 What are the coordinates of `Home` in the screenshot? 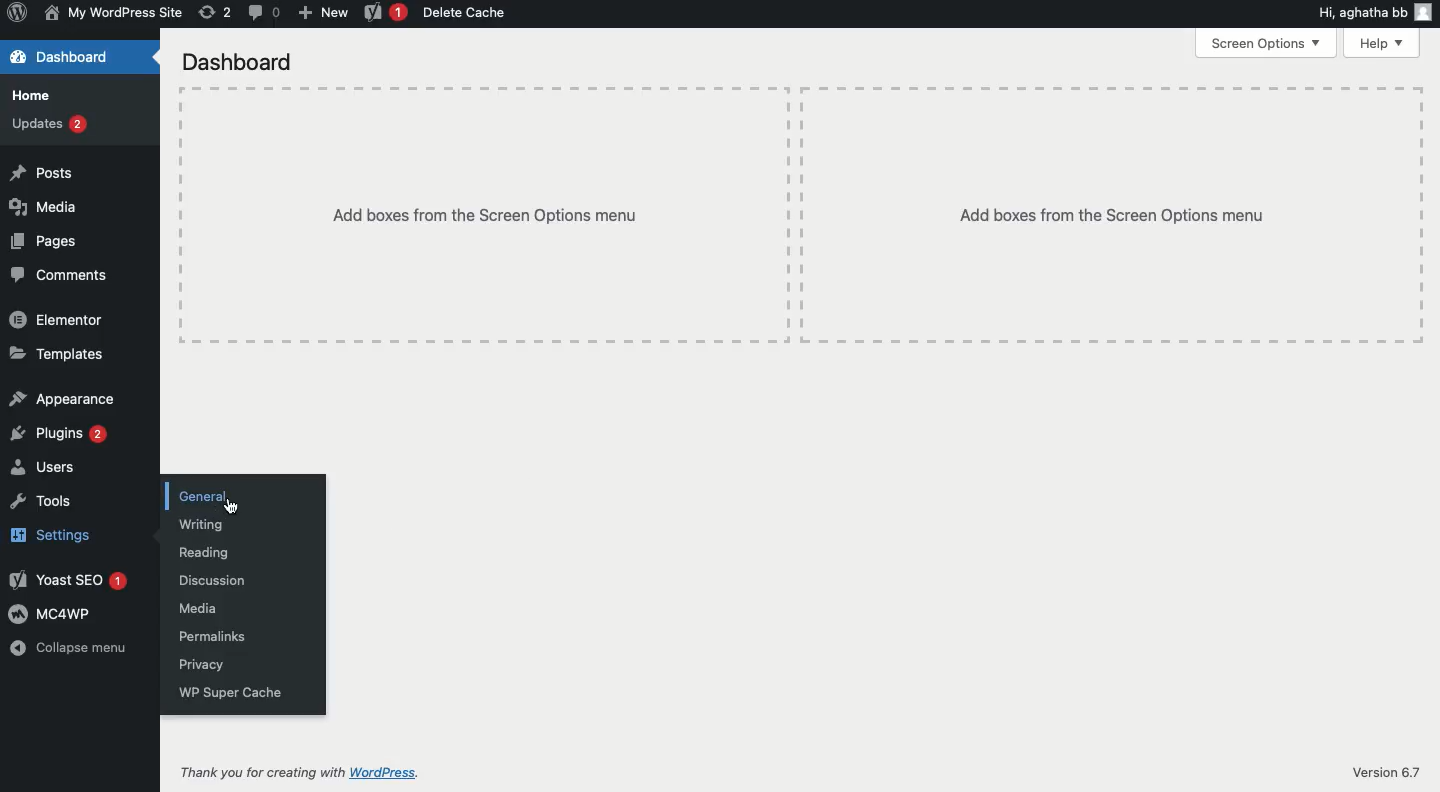 It's located at (28, 94).